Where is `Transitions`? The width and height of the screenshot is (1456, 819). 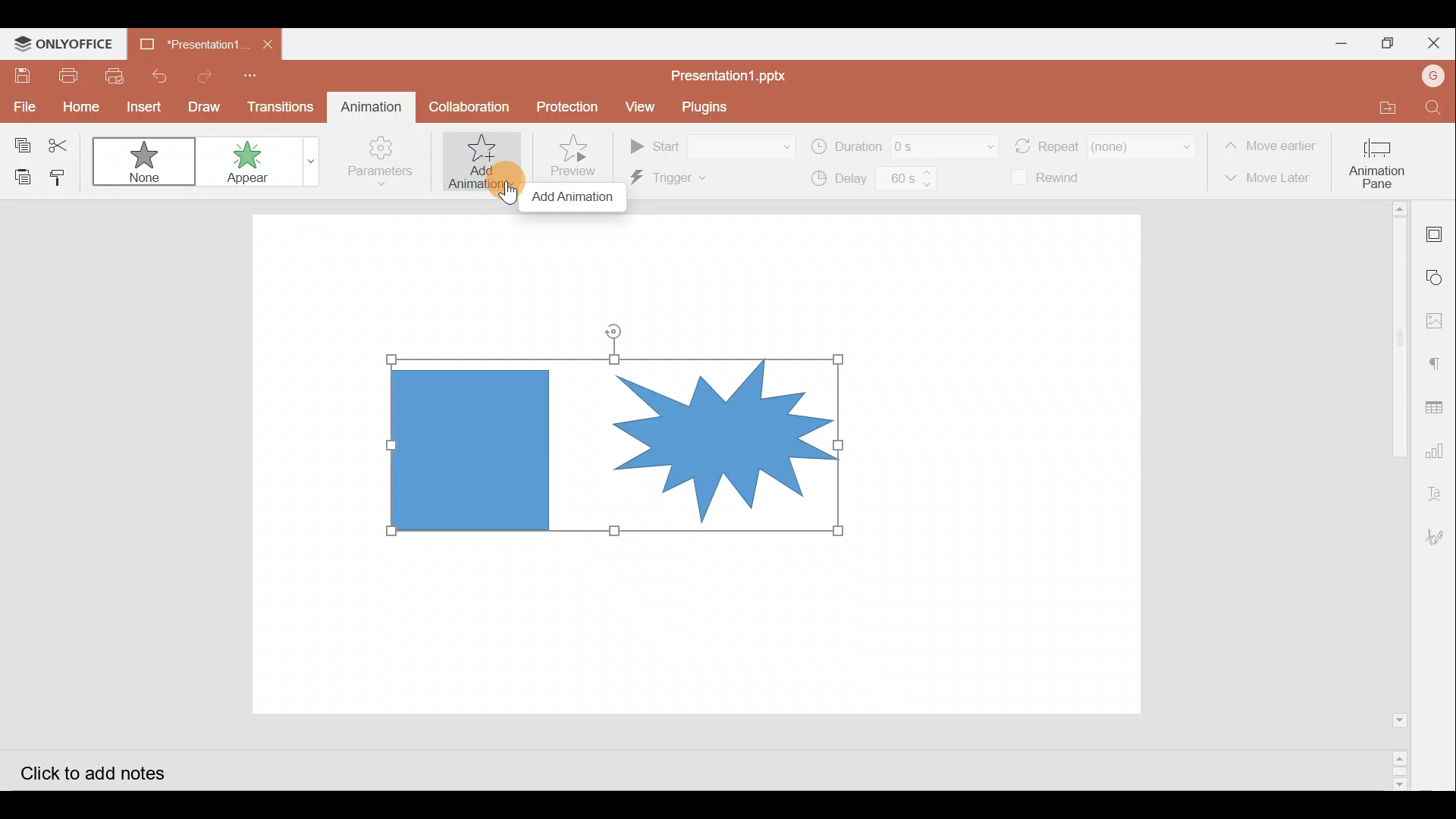
Transitions is located at coordinates (281, 106).